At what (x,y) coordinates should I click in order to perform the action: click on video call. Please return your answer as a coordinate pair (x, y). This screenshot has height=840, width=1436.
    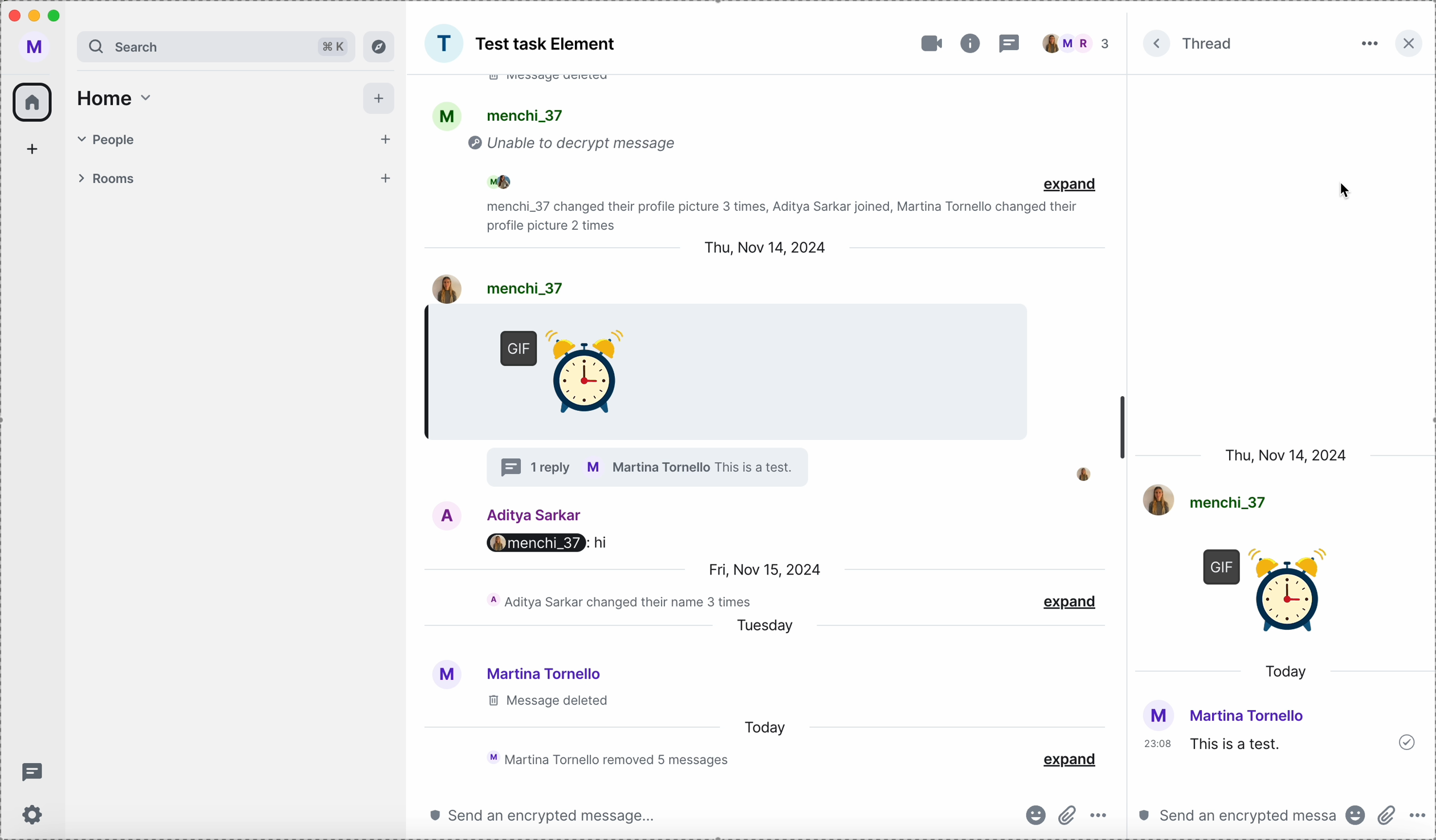
    Looking at the image, I should click on (927, 44).